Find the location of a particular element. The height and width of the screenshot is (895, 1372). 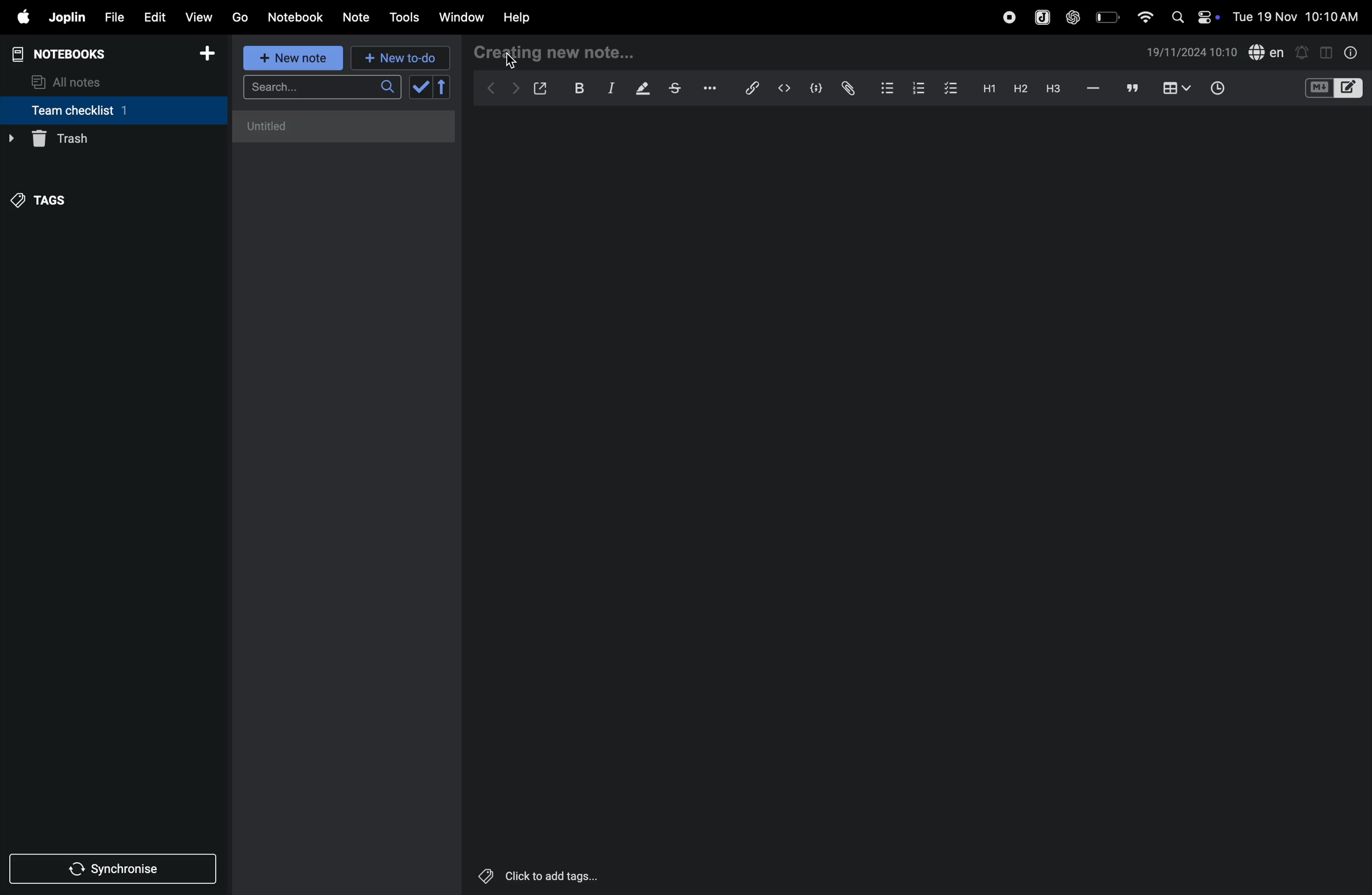

add is located at coordinates (212, 54).